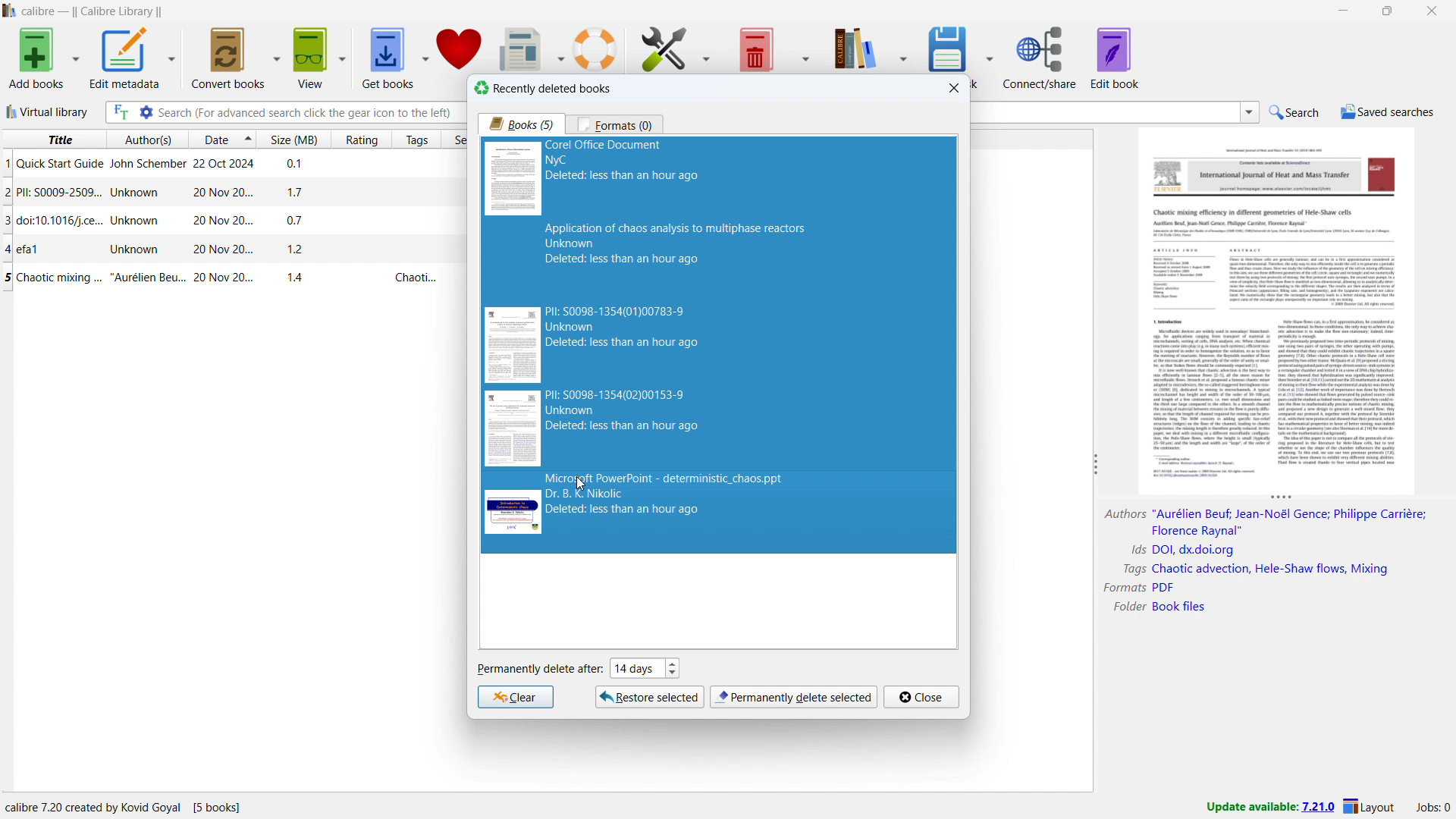 This screenshot has width=1456, height=819. I want to click on full text search, so click(120, 111).